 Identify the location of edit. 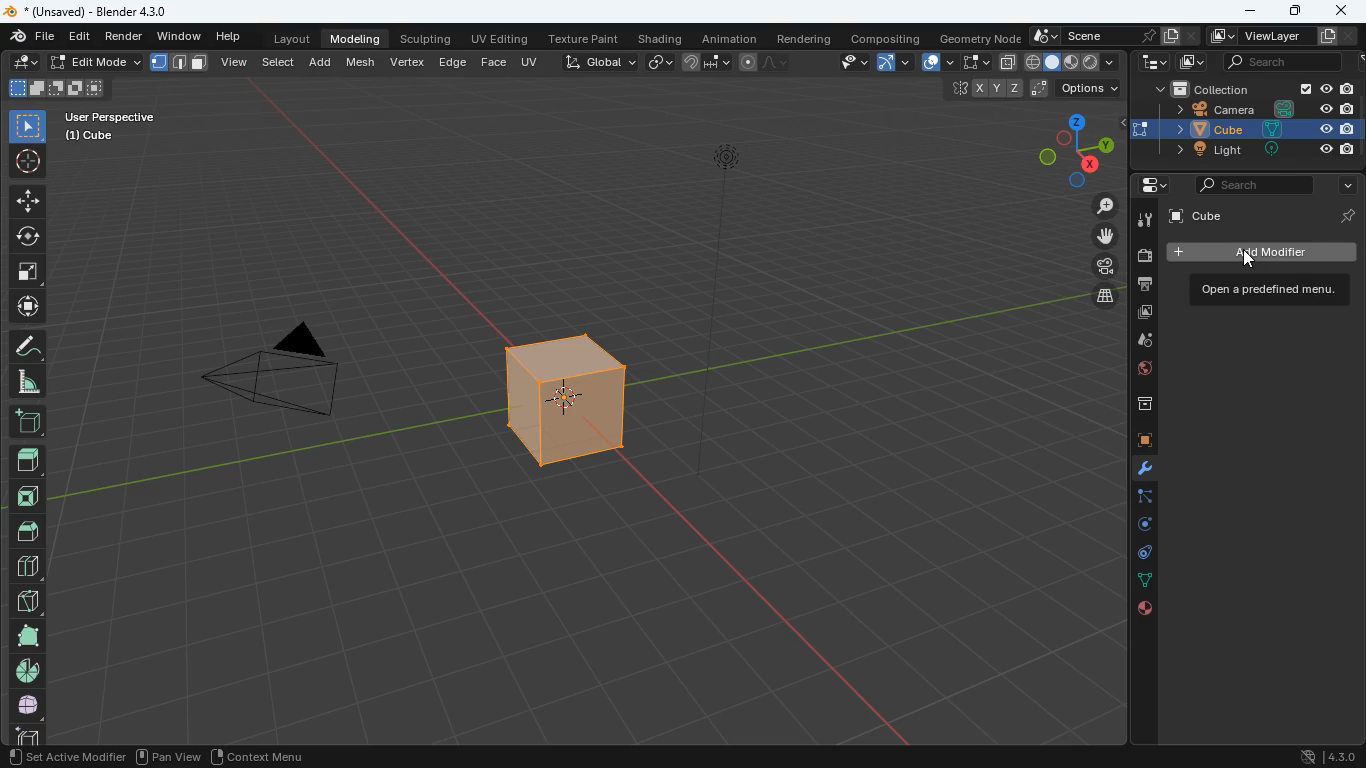
(79, 36).